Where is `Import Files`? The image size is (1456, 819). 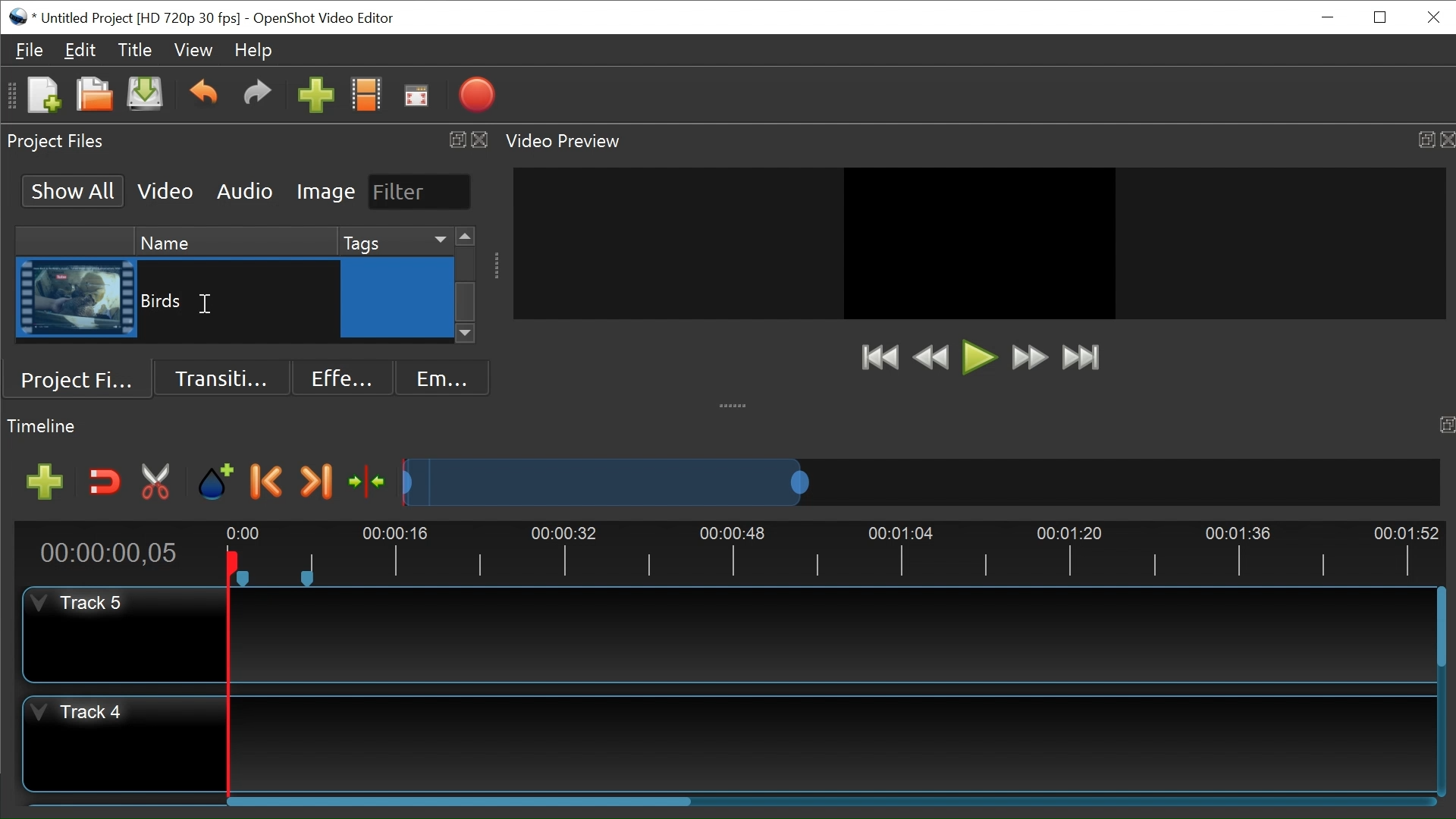 Import Files is located at coordinates (315, 96).